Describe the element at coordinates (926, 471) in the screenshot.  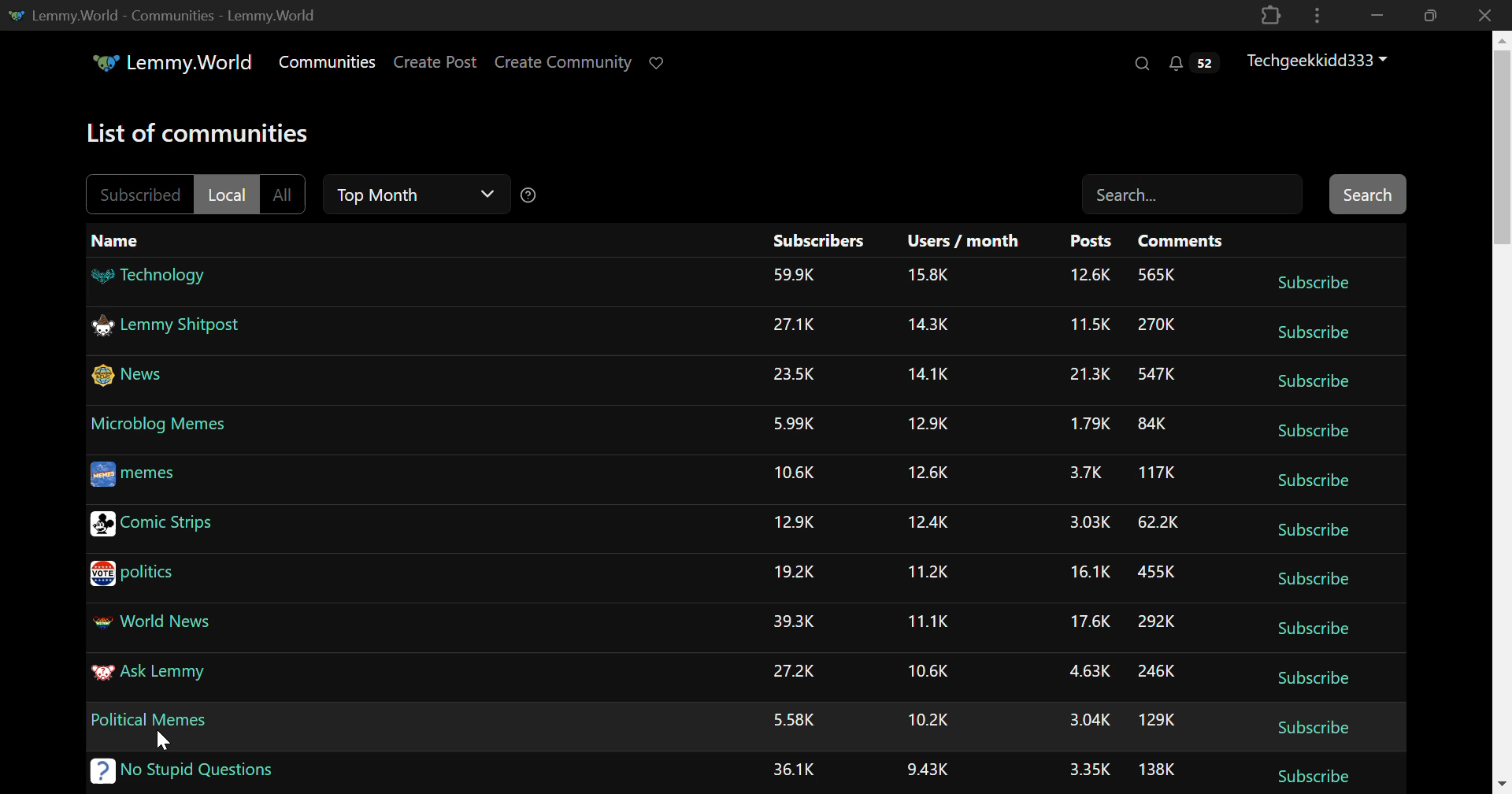
I see `Amount` at that location.